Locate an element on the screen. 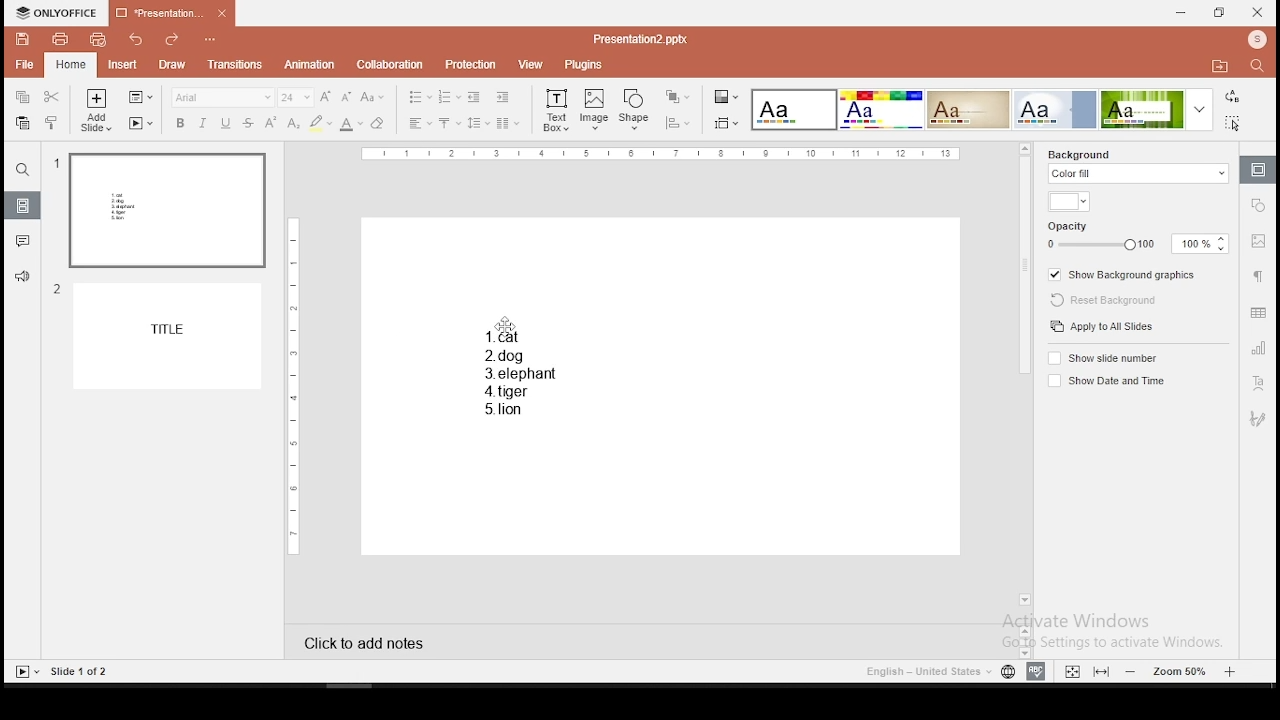 The image size is (1280, 720). save is located at coordinates (22, 38).